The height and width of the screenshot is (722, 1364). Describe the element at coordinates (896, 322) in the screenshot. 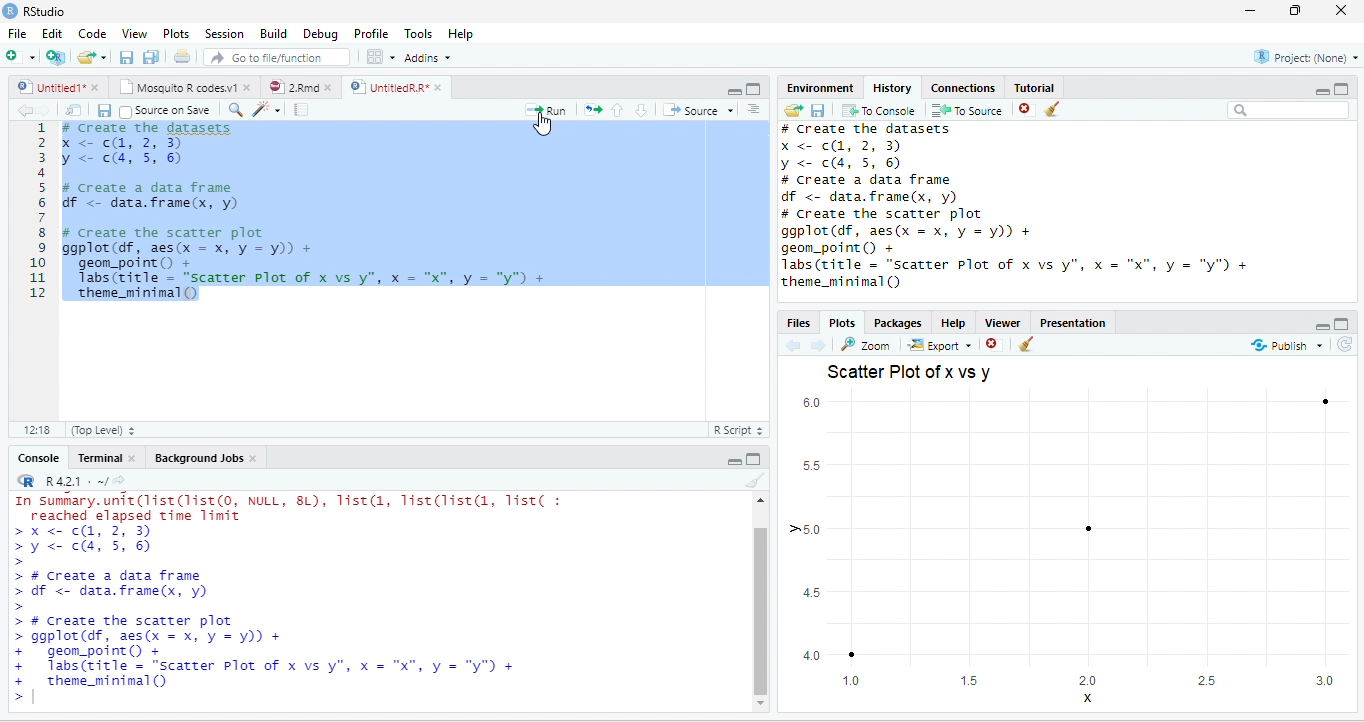

I see `Packages` at that location.